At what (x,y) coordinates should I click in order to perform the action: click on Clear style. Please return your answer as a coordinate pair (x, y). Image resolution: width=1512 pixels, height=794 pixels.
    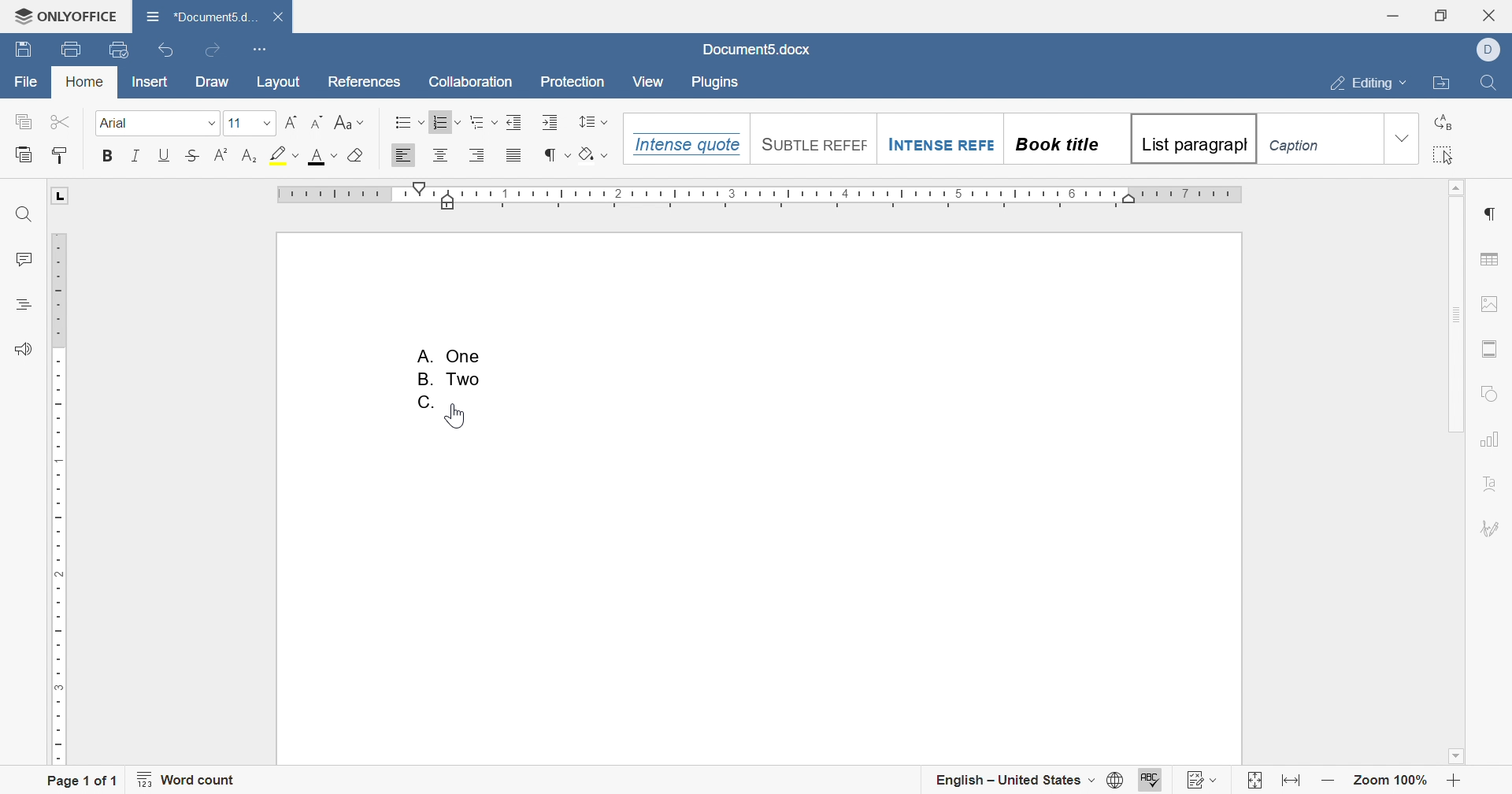
    Looking at the image, I should click on (358, 155).